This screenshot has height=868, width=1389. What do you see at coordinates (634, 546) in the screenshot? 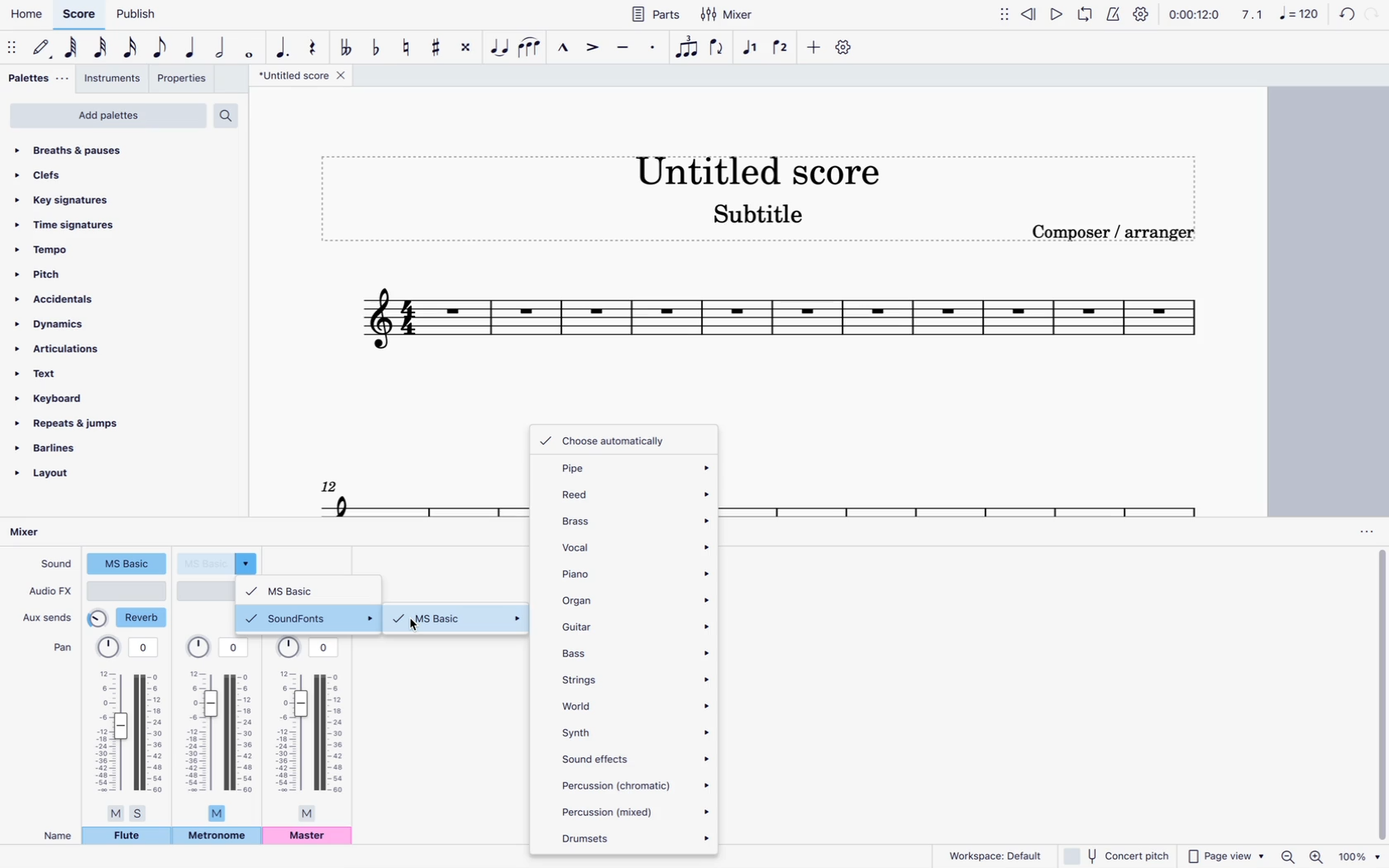
I see `vocal` at bounding box center [634, 546].